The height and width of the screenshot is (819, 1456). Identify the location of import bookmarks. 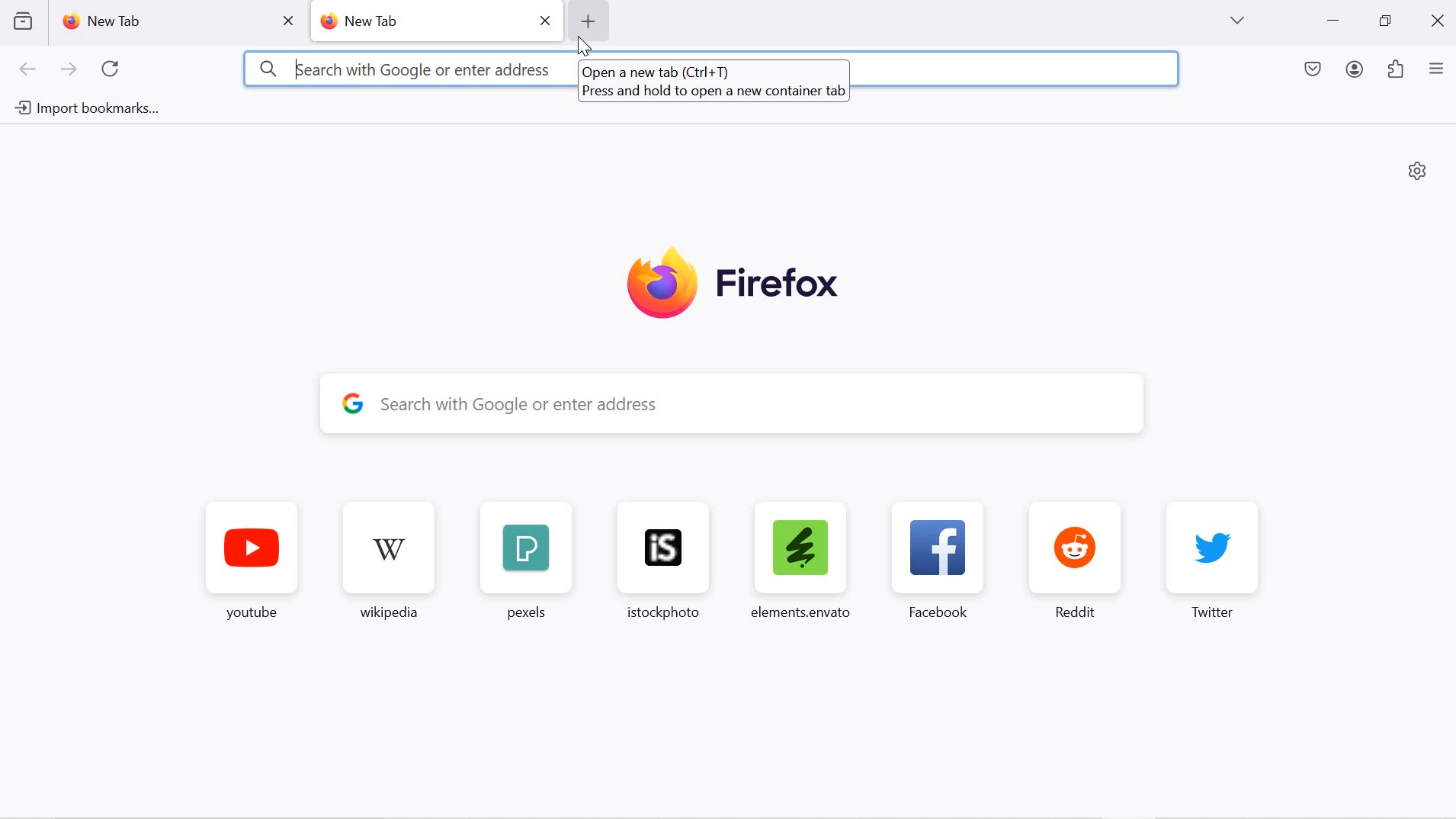
(85, 108).